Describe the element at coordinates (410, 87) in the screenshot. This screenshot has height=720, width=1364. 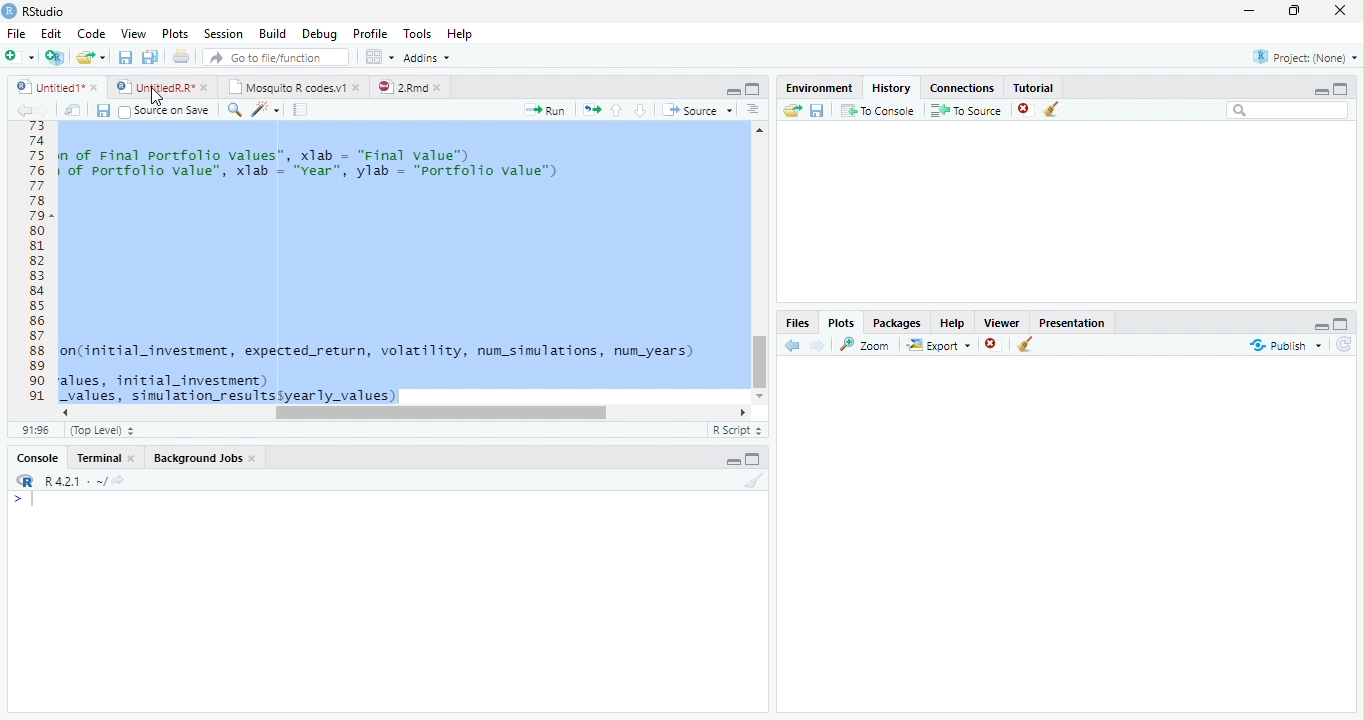
I see `2.Rmd` at that location.